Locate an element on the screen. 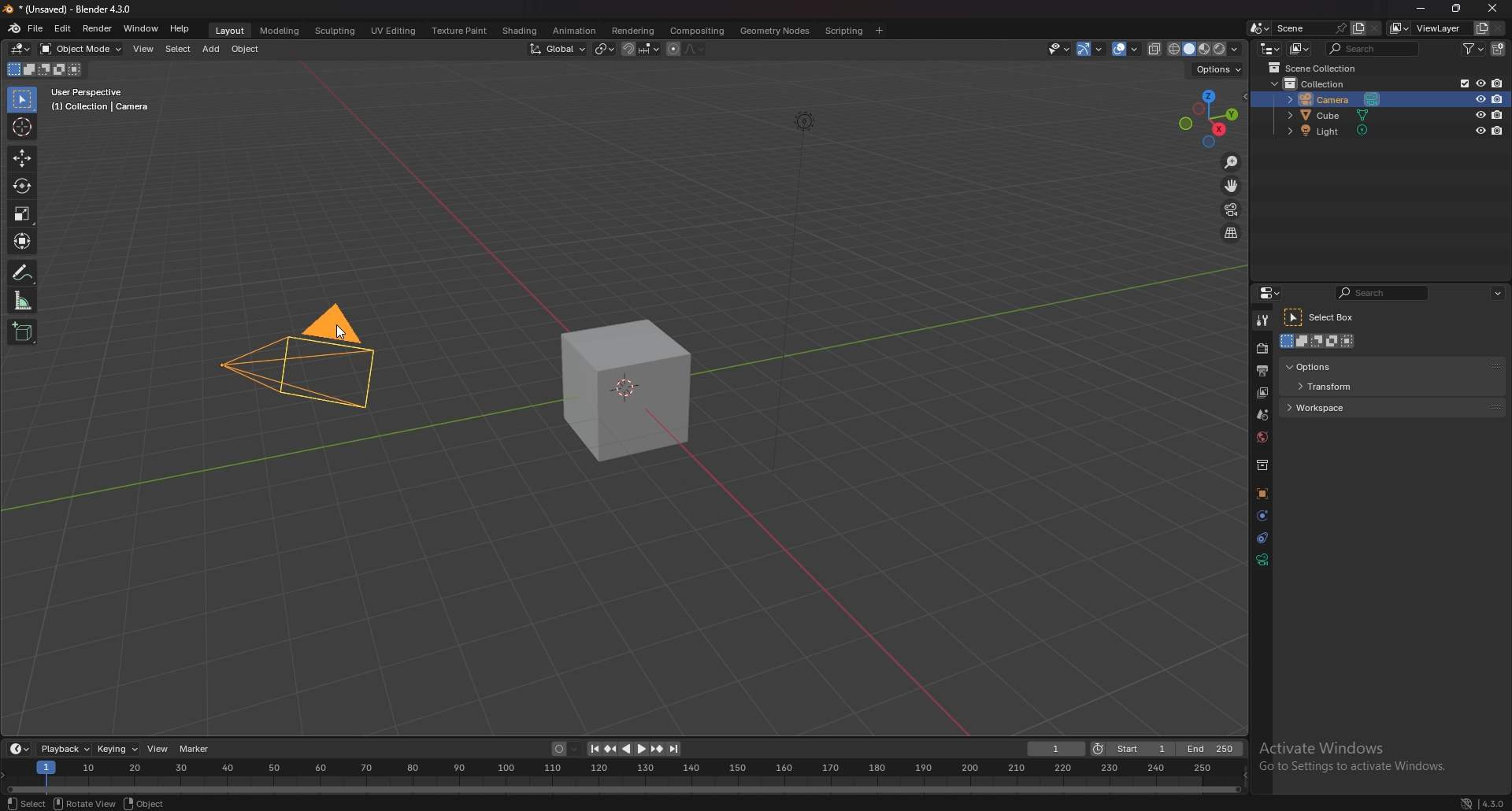  object is located at coordinates (246, 50).